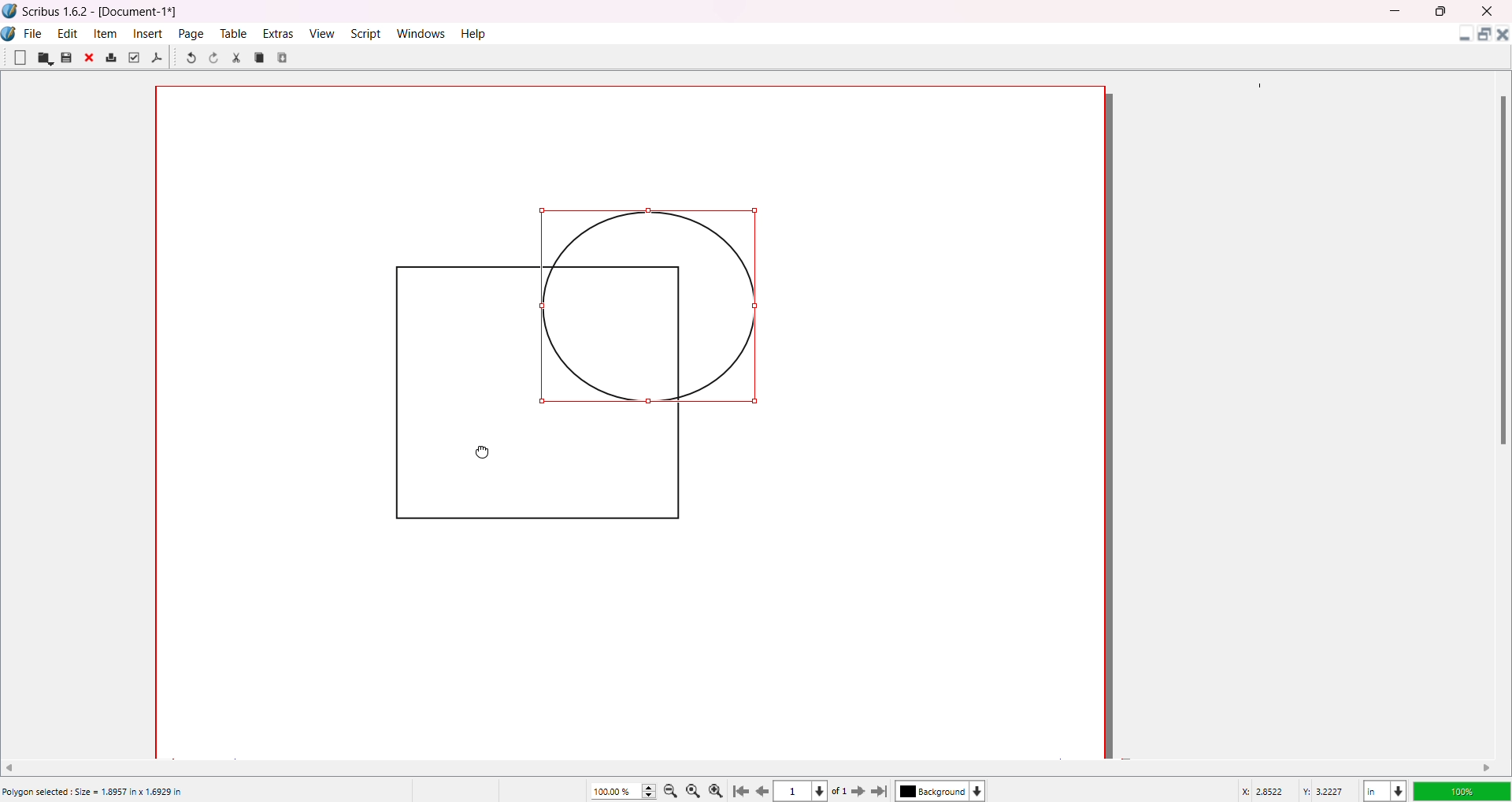 The image size is (1512, 802). Describe the element at coordinates (1499, 269) in the screenshot. I see `Scroll Bar` at that location.